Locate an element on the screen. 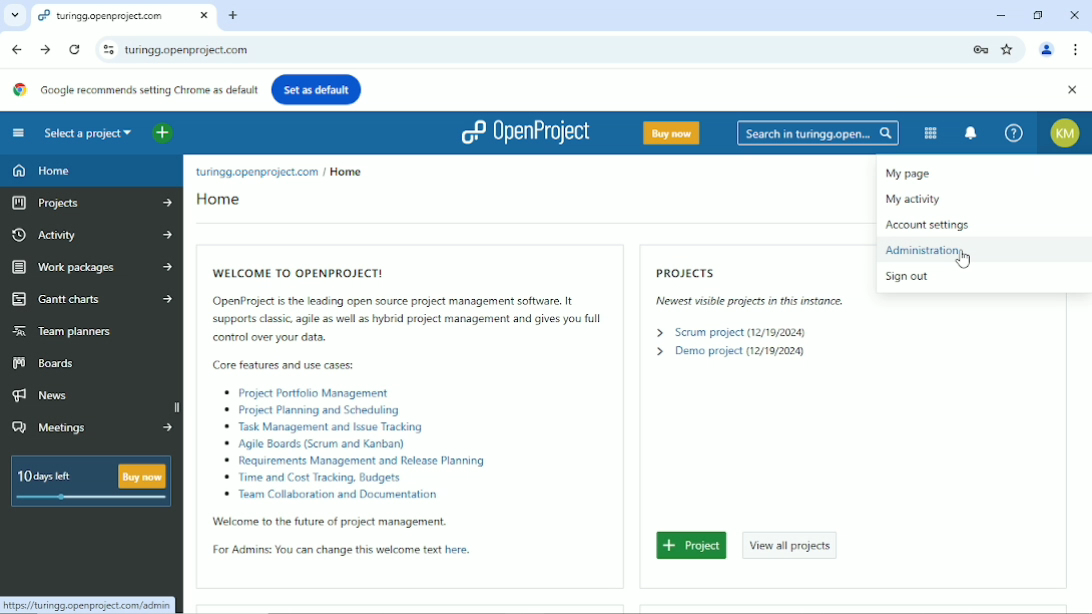 This screenshot has width=1092, height=614. Home is located at coordinates (218, 201).